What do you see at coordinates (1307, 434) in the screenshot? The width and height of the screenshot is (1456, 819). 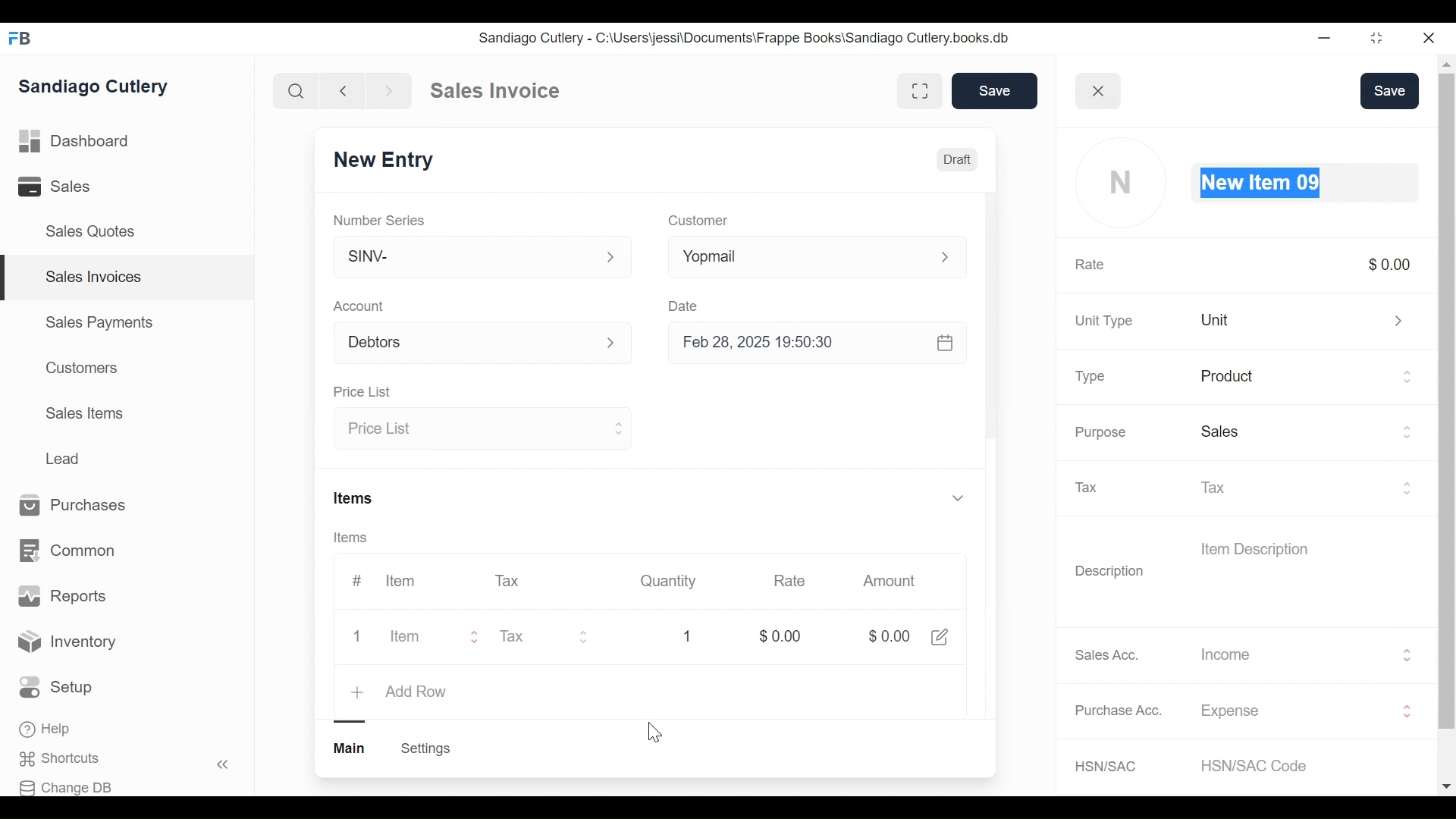 I see `Sales` at bounding box center [1307, 434].